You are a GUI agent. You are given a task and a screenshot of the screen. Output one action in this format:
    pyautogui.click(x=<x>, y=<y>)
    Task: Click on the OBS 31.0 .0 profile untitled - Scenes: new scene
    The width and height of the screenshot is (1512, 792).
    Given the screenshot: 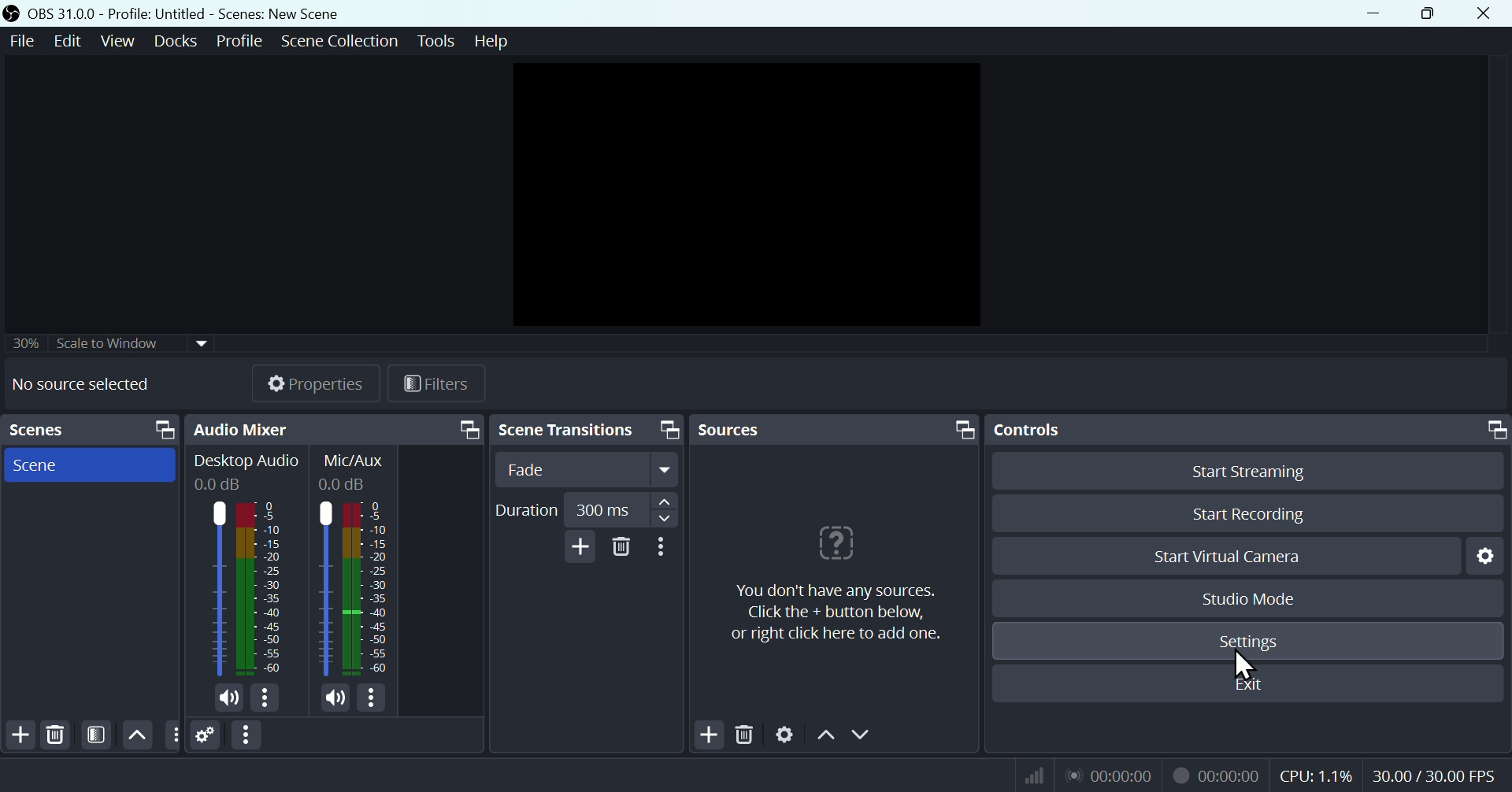 What is the action you would take?
    pyautogui.click(x=184, y=13)
    